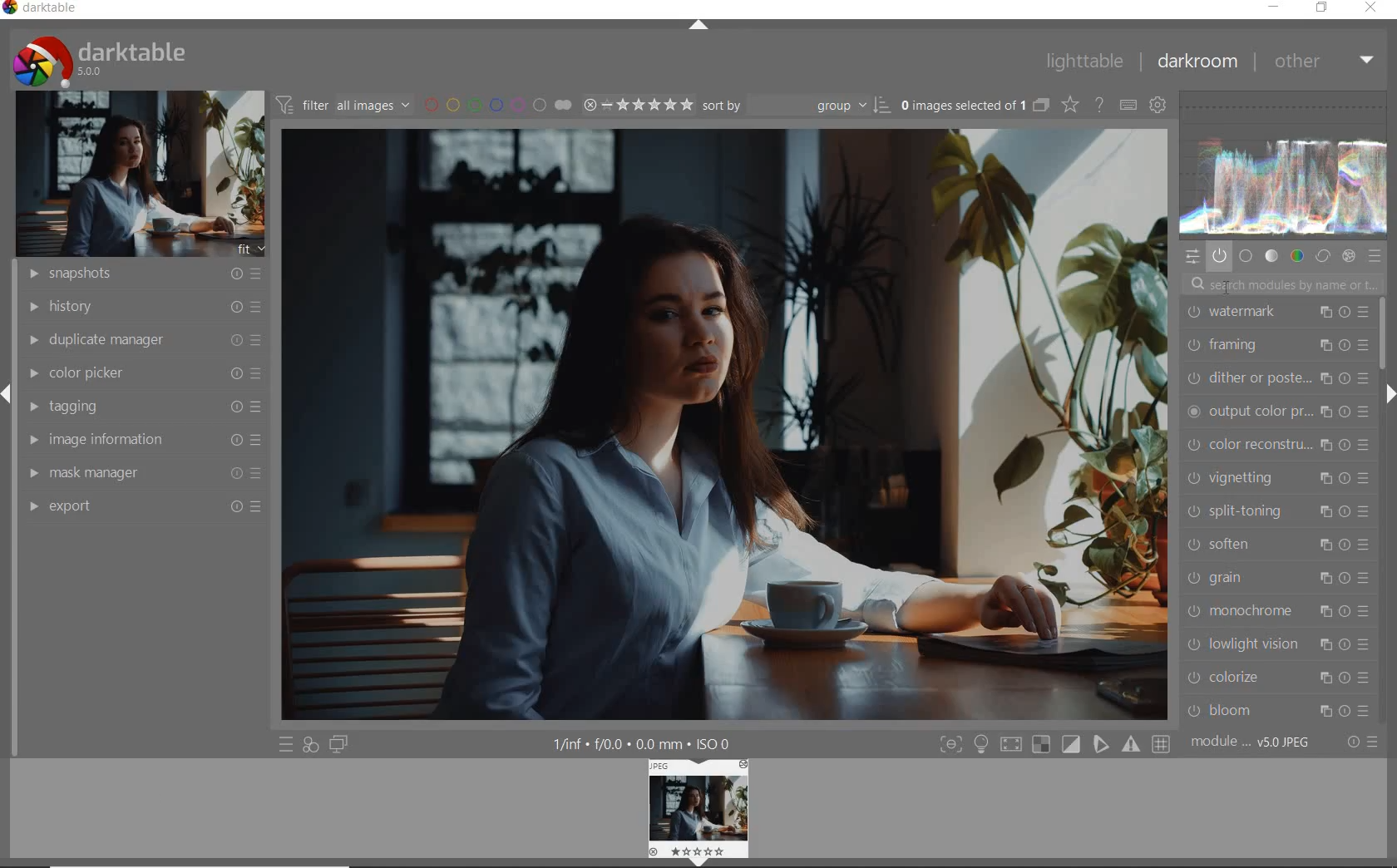 The height and width of the screenshot is (868, 1397). I want to click on mask manager, so click(144, 475).